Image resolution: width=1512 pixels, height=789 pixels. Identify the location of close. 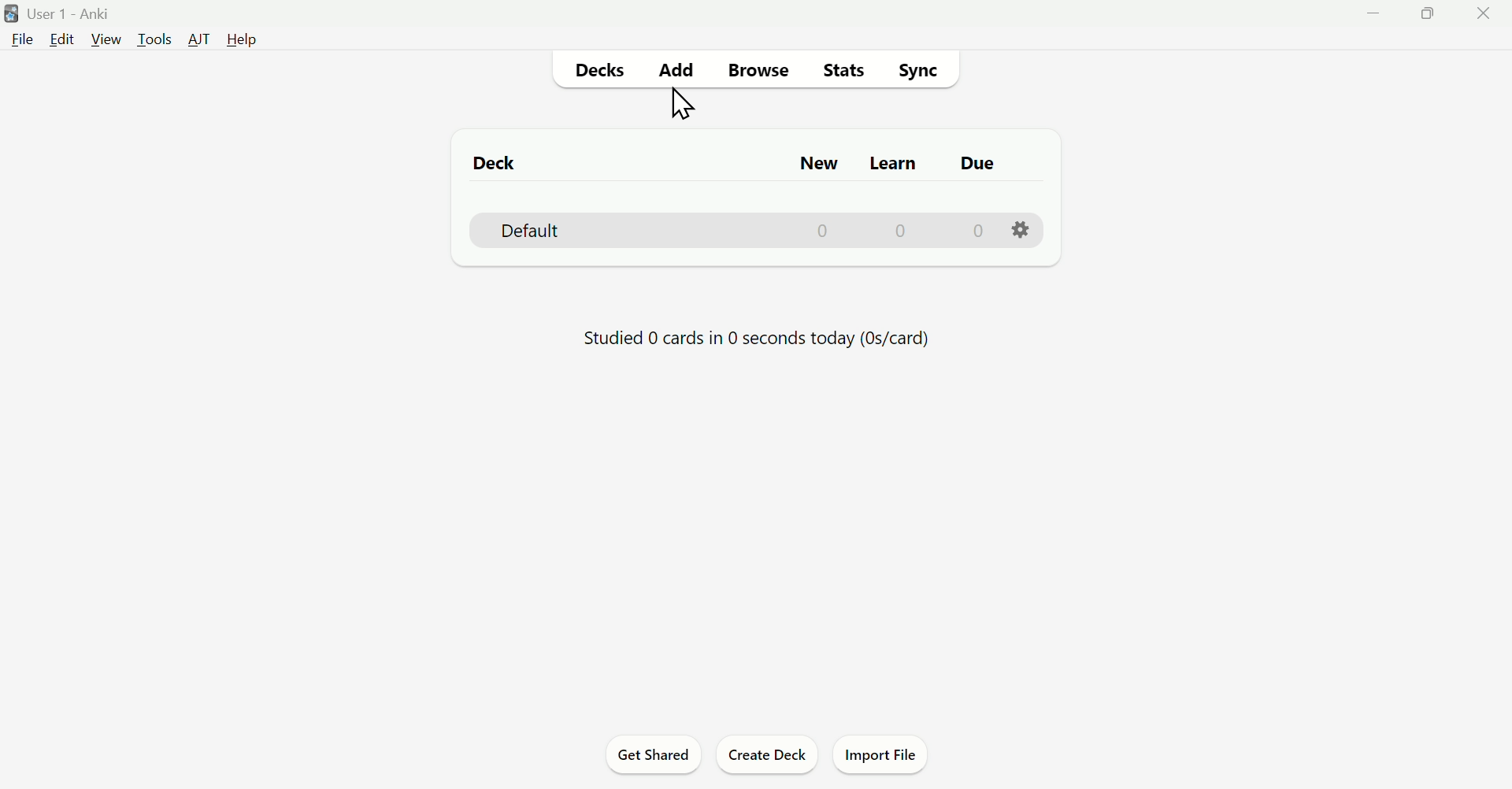
(1482, 12).